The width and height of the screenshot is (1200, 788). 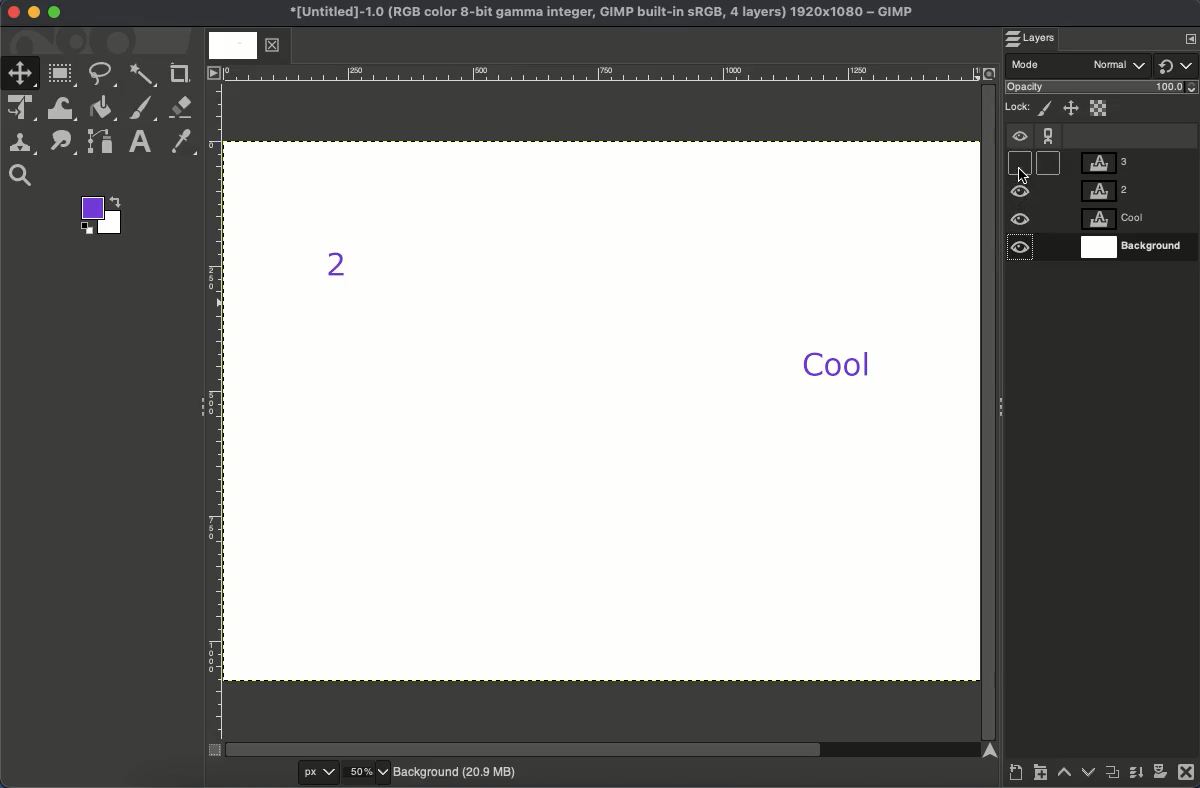 I want to click on Add a mask, so click(x=1160, y=775).